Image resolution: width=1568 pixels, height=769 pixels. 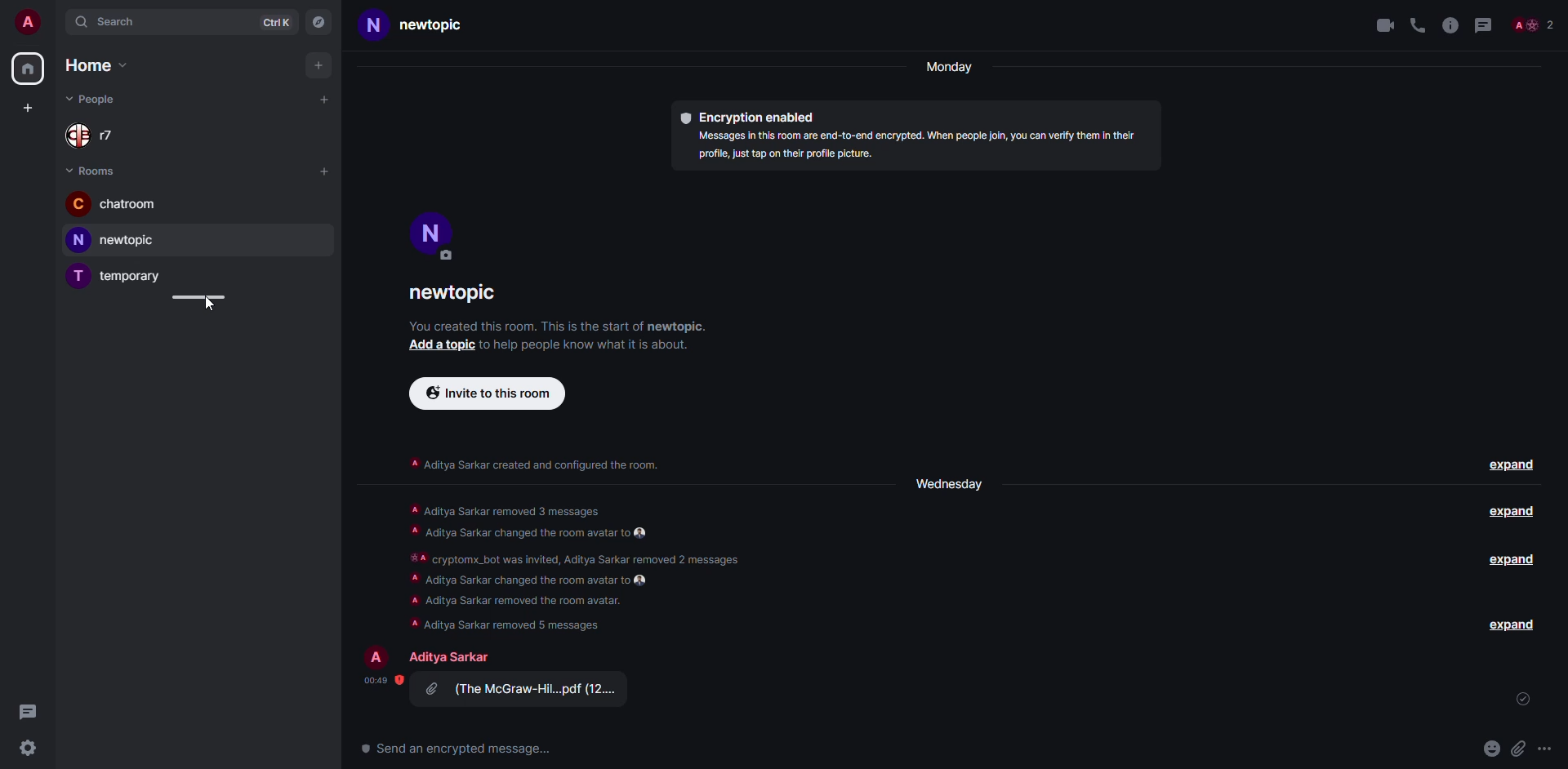 I want to click on invite to this room, so click(x=488, y=393).